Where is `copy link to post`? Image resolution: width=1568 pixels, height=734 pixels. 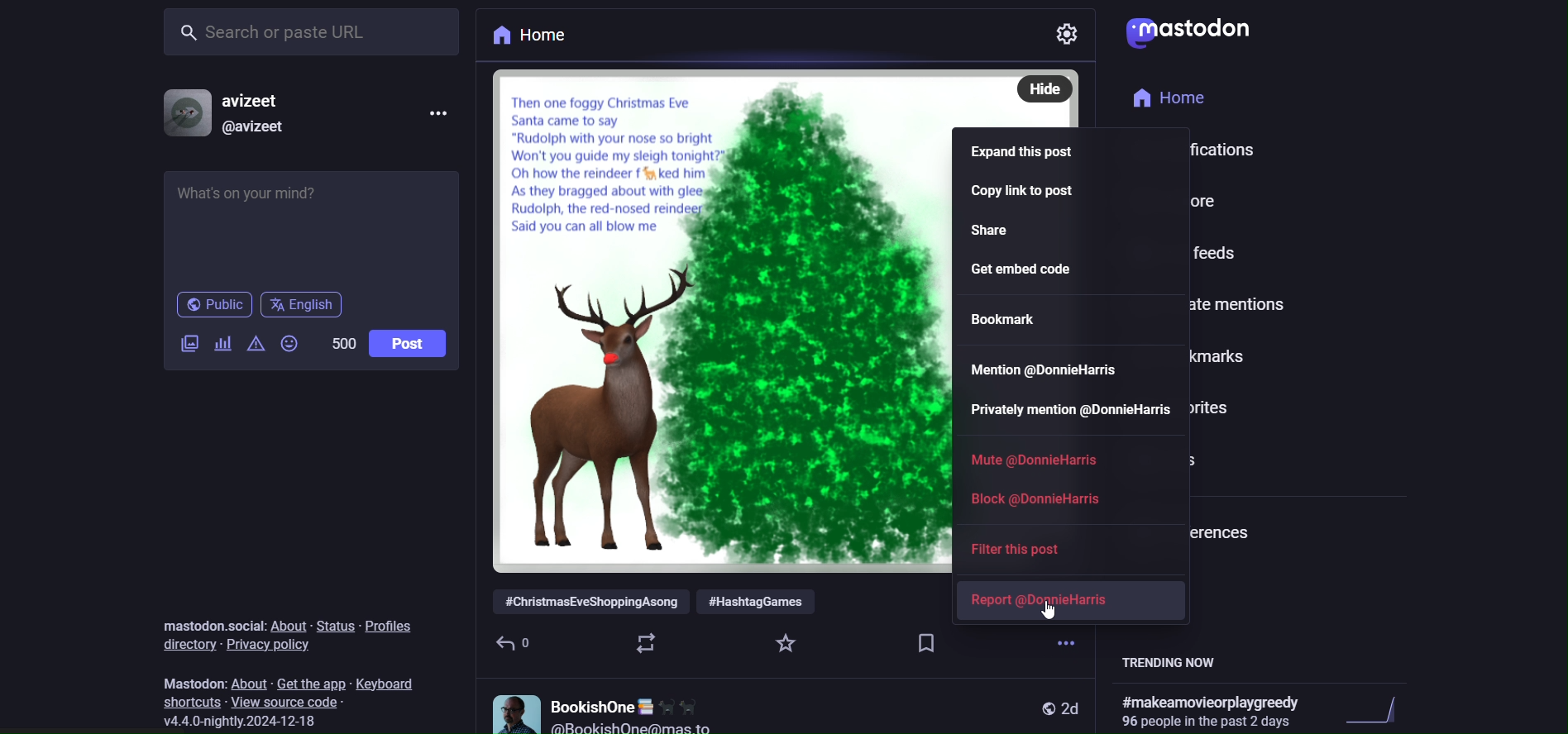 copy link to post is located at coordinates (1025, 195).